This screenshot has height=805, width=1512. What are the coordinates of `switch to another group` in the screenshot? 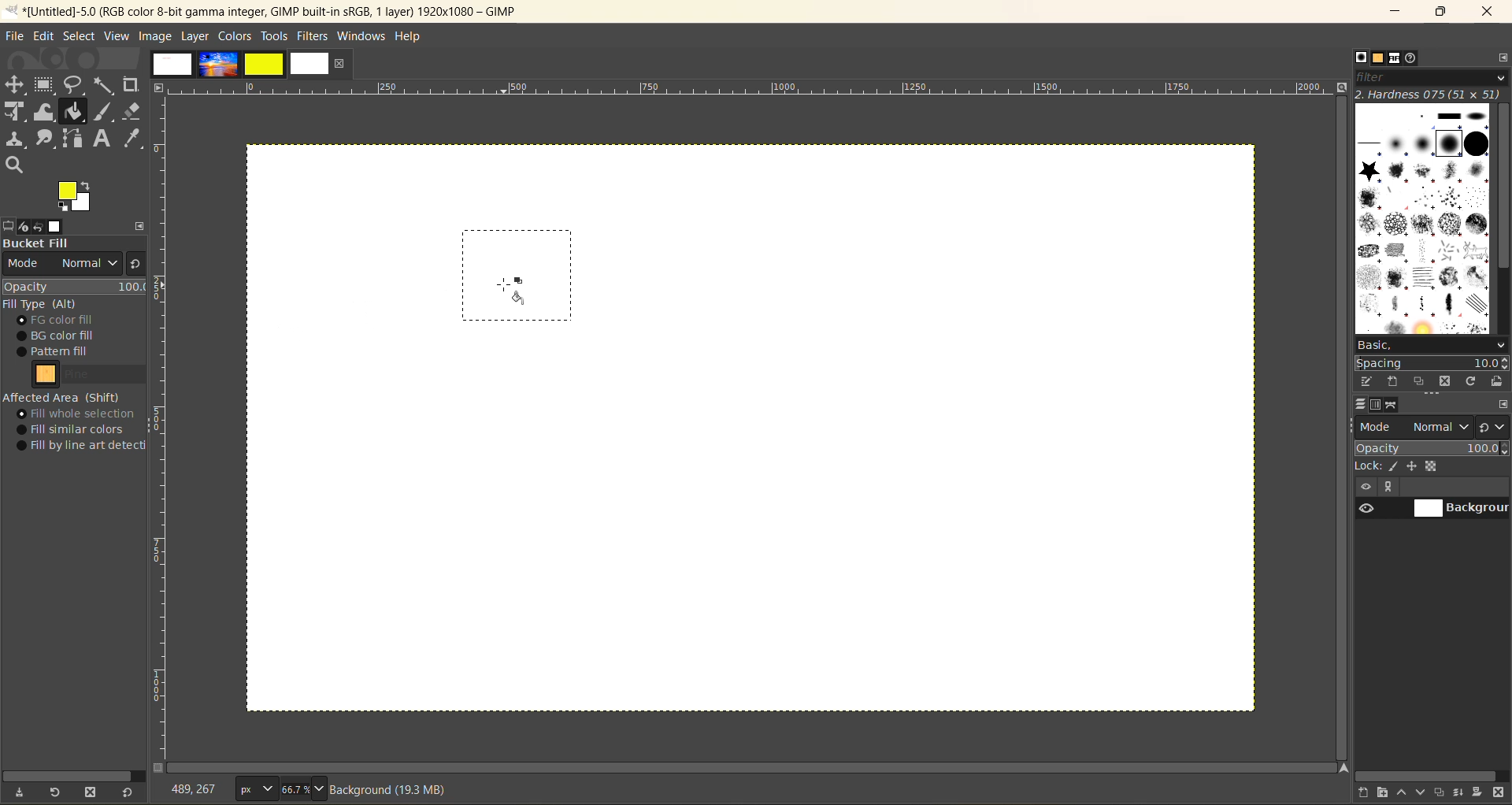 It's located at (133, 266).